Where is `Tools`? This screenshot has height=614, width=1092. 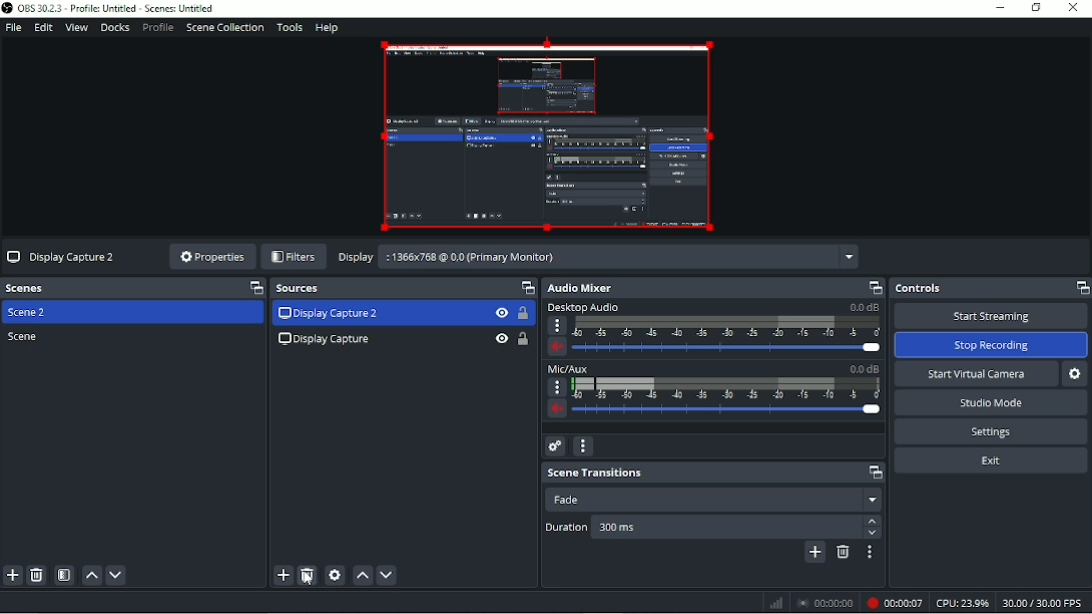
Tools is located at coordinates (290, 27).